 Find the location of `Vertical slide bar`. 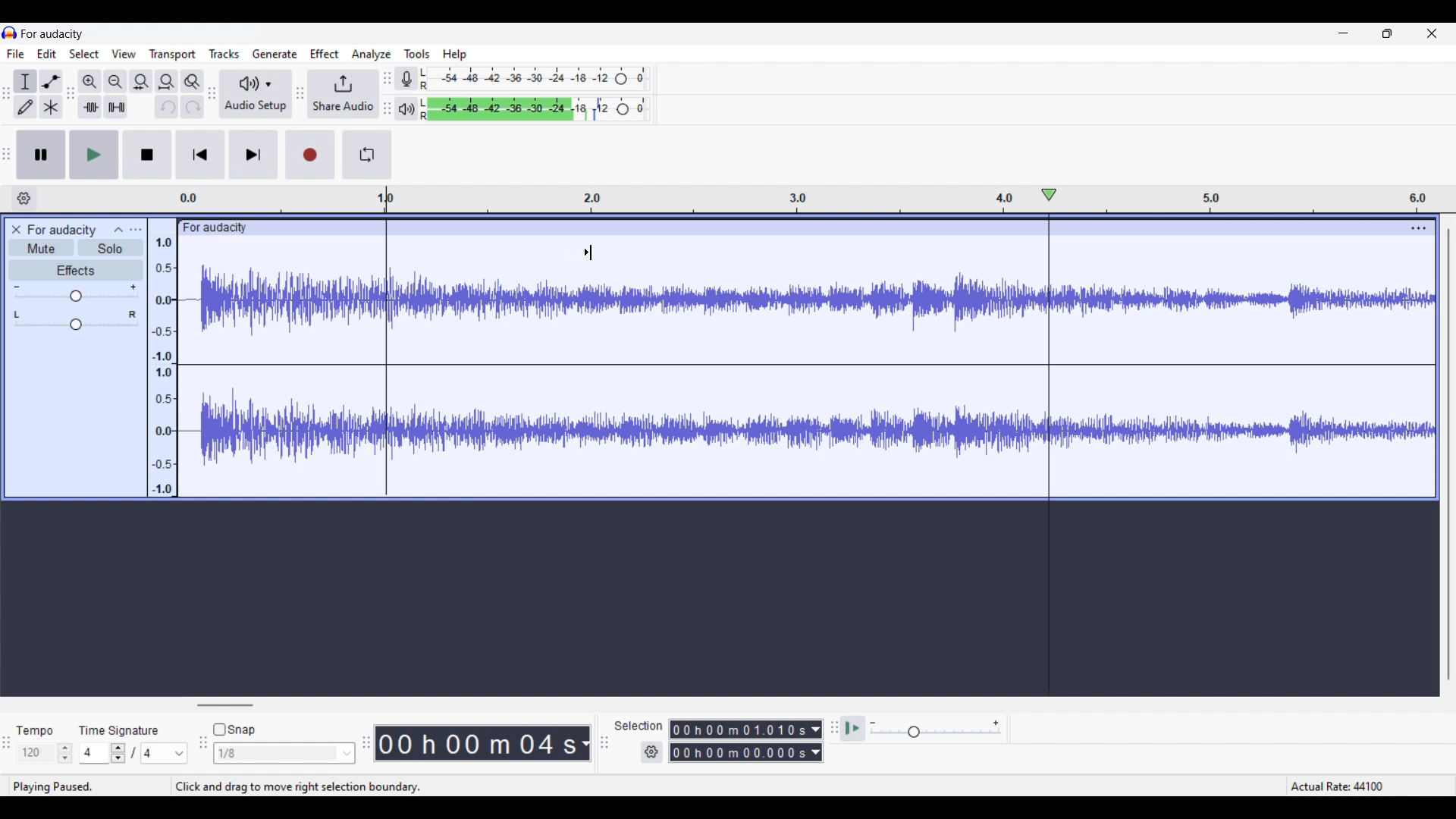

Vertical slide bar is located at coordinates (1448, 453).